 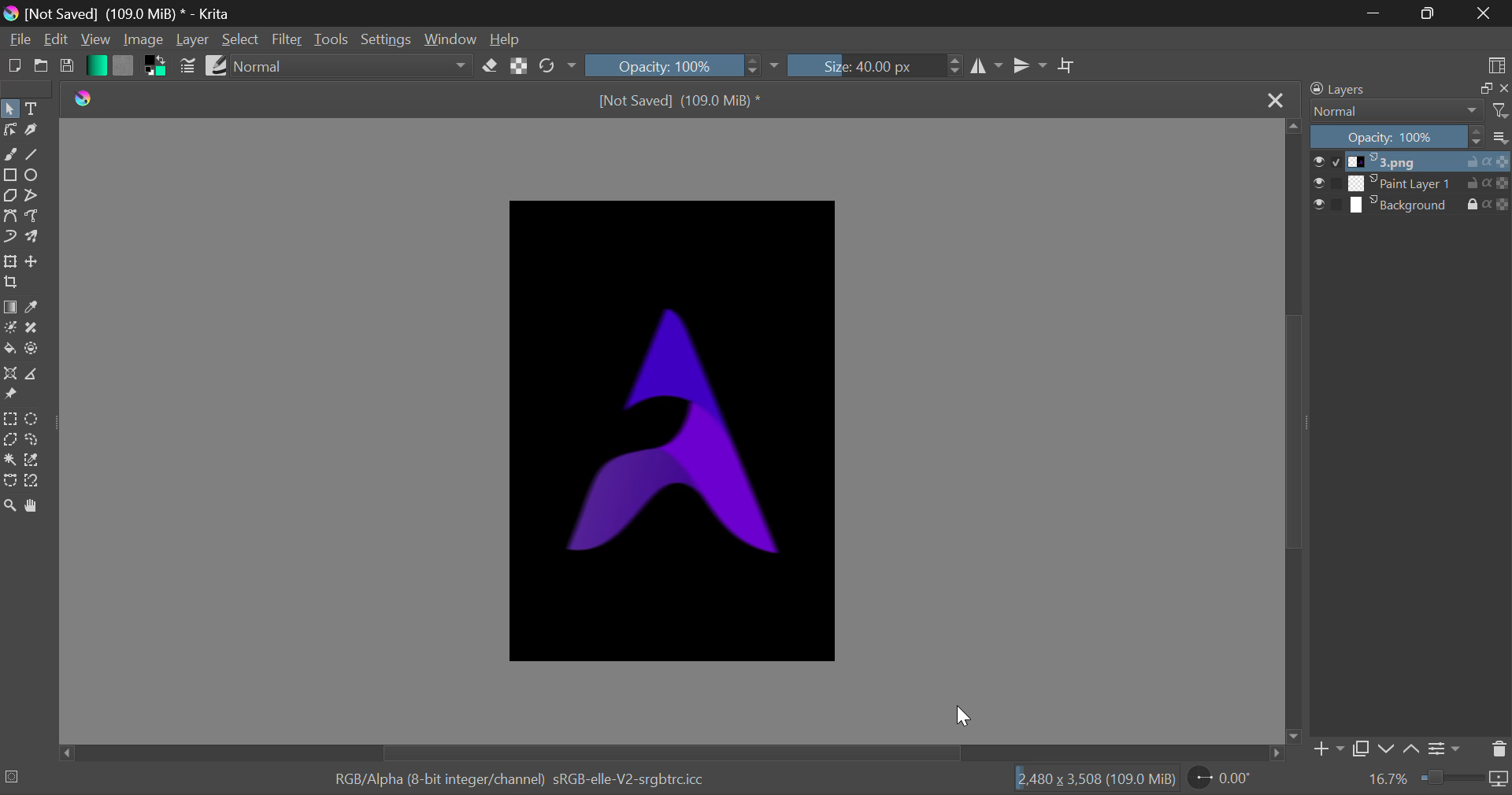 What do you see at coordinates (189, 66) in the screenshot?
I see `Brush Settings` at bounding box center [189, 66].